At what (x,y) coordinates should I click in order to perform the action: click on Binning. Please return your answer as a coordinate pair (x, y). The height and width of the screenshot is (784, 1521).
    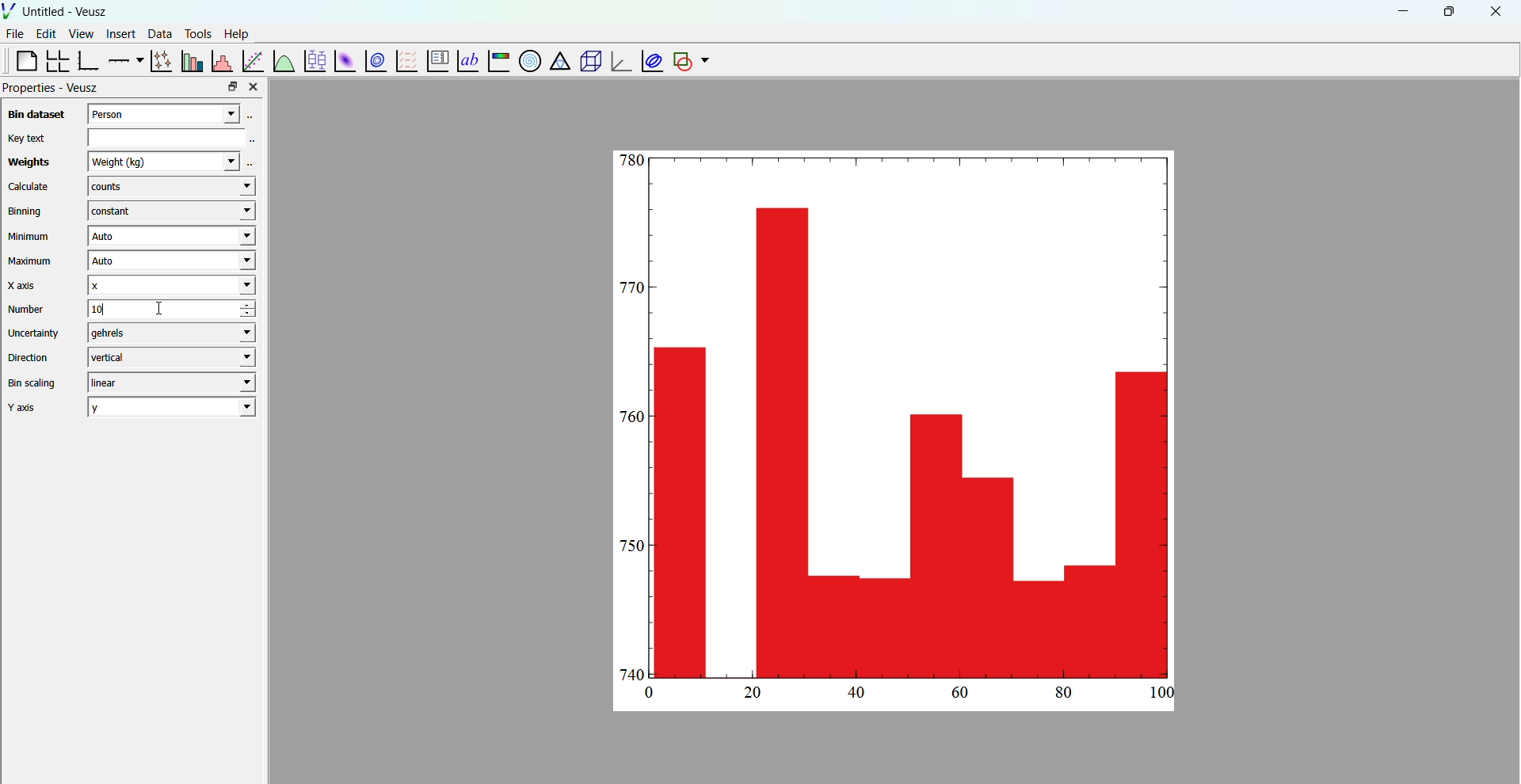
    Looking at the image, I should click on (28, 211).